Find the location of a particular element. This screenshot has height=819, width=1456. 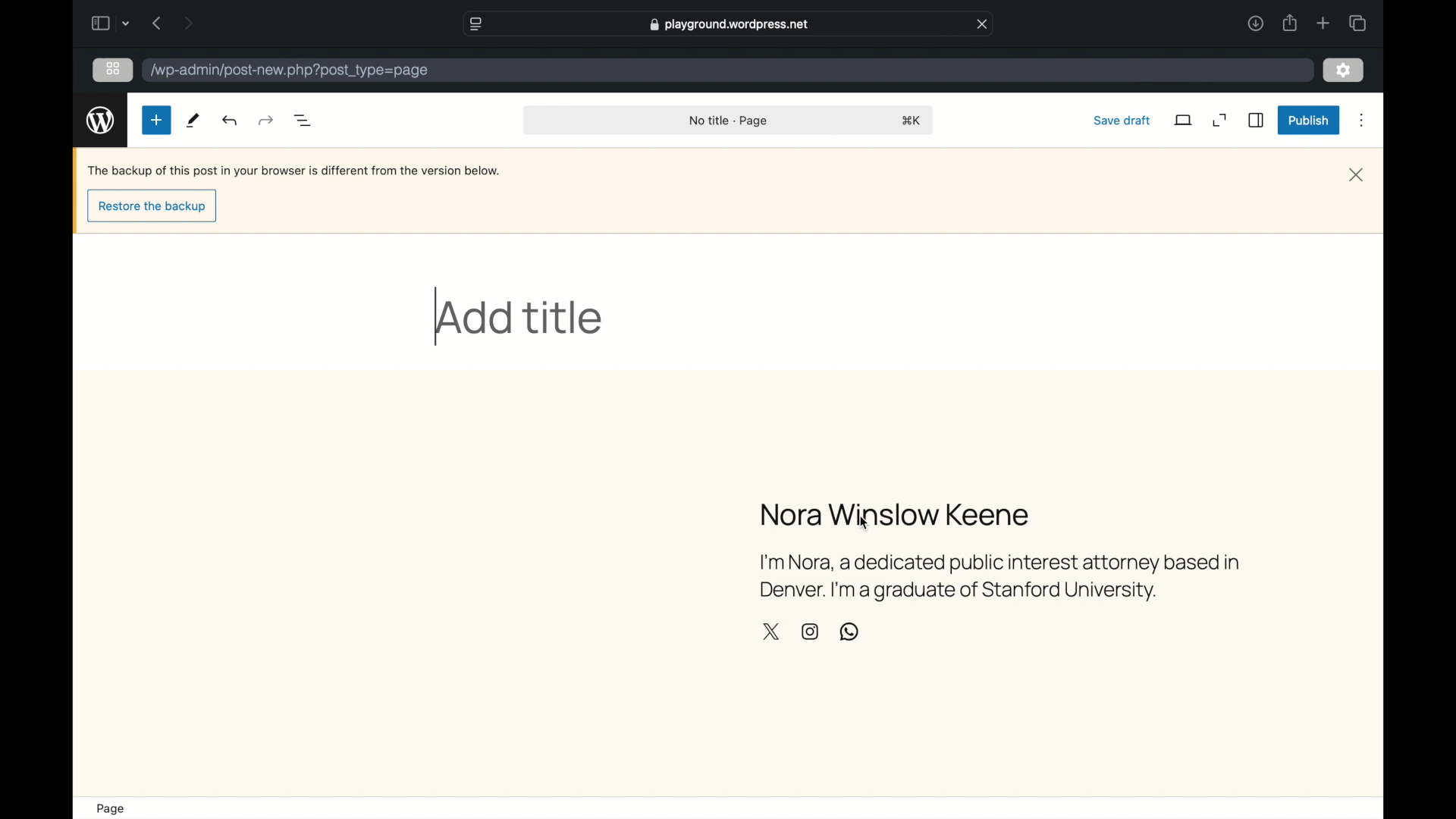

dropdown is located at coordinates (126, 23).